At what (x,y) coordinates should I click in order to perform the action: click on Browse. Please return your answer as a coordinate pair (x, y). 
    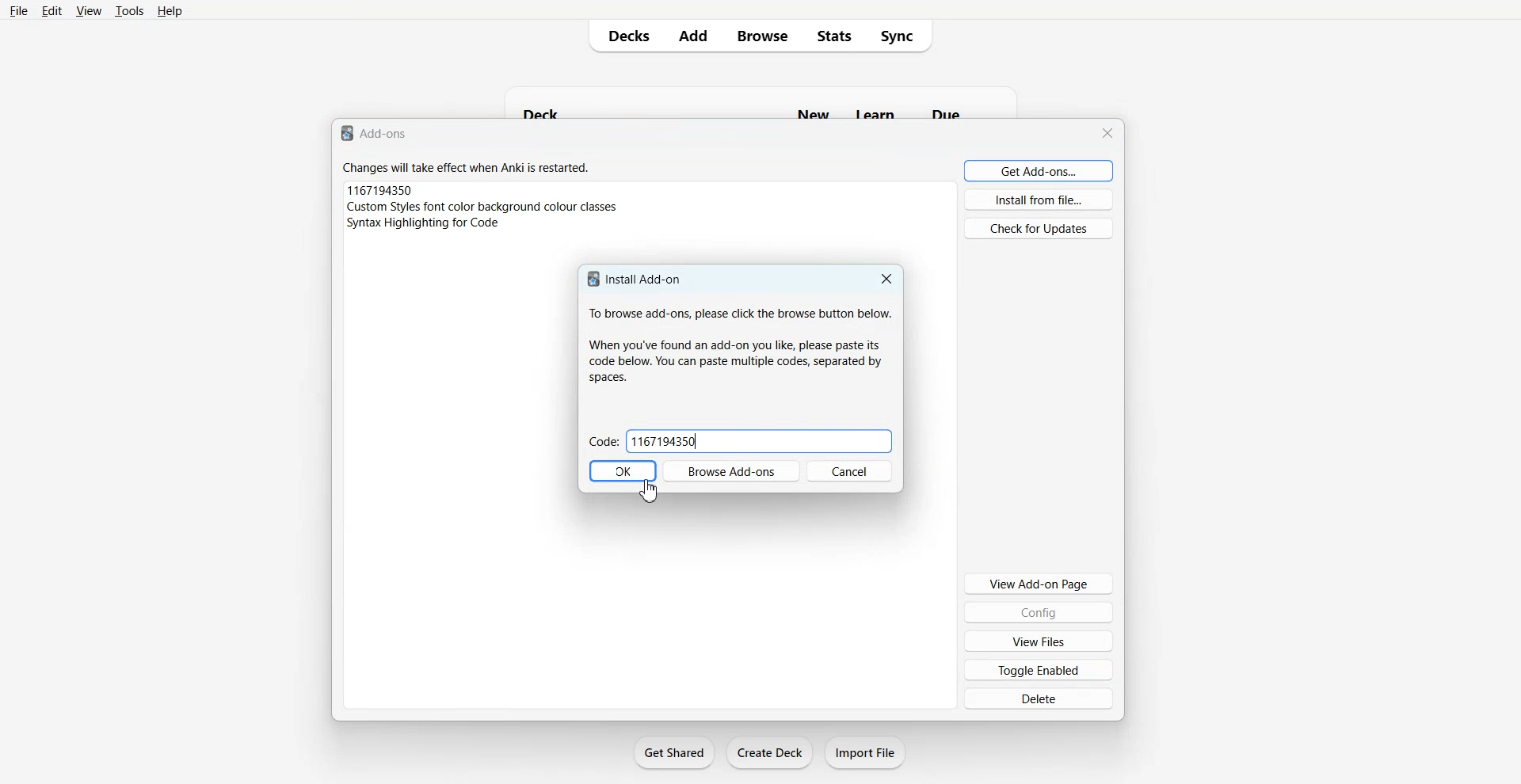
    Looking at the image, I should click on (763, 36).